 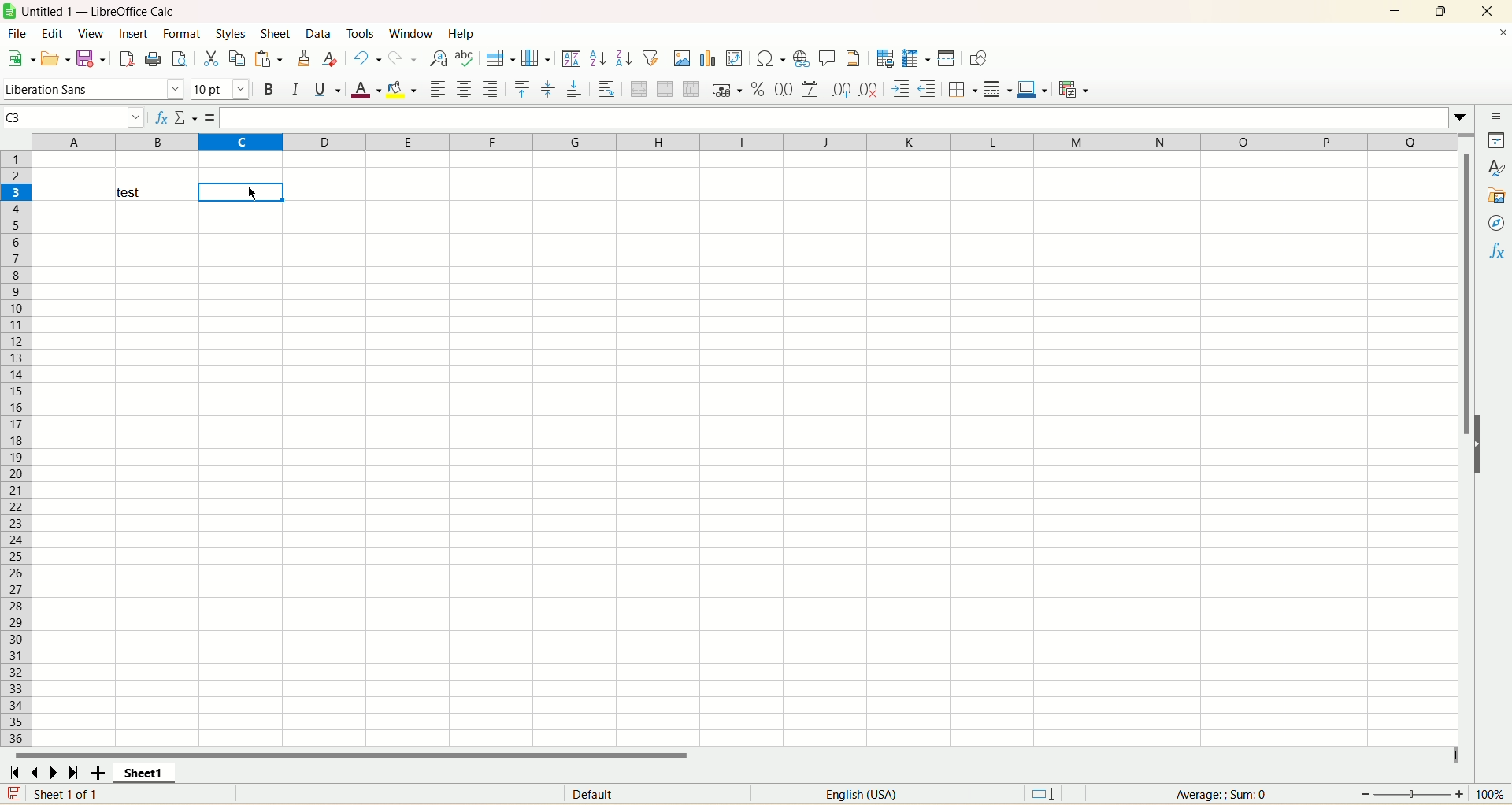 What do you see at coordinates (331, 57) in the screenshot?
I see `clear formatting` at bounding box center [331, 57].